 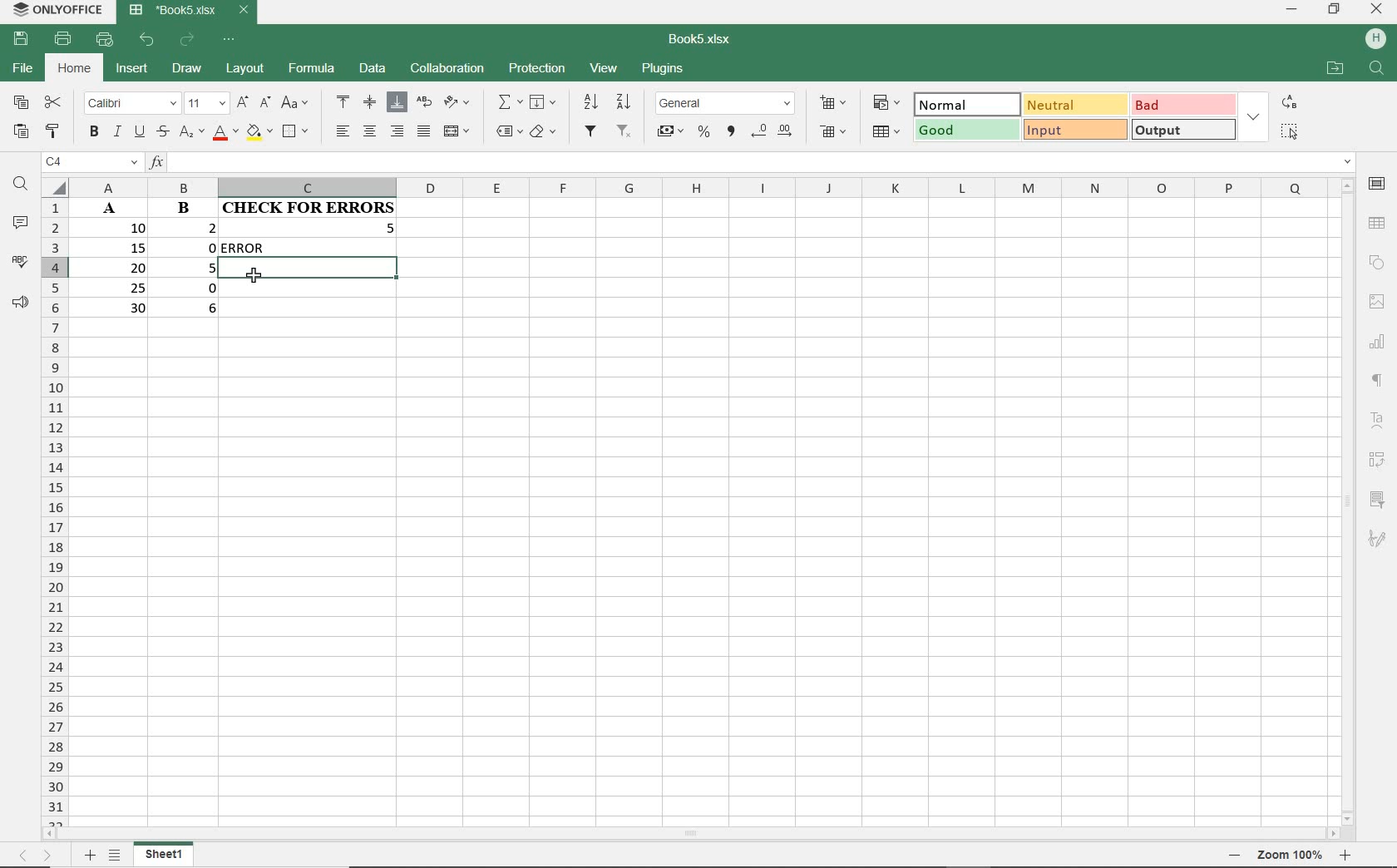 I want to click on ROWS, so click(x=56, y=510).